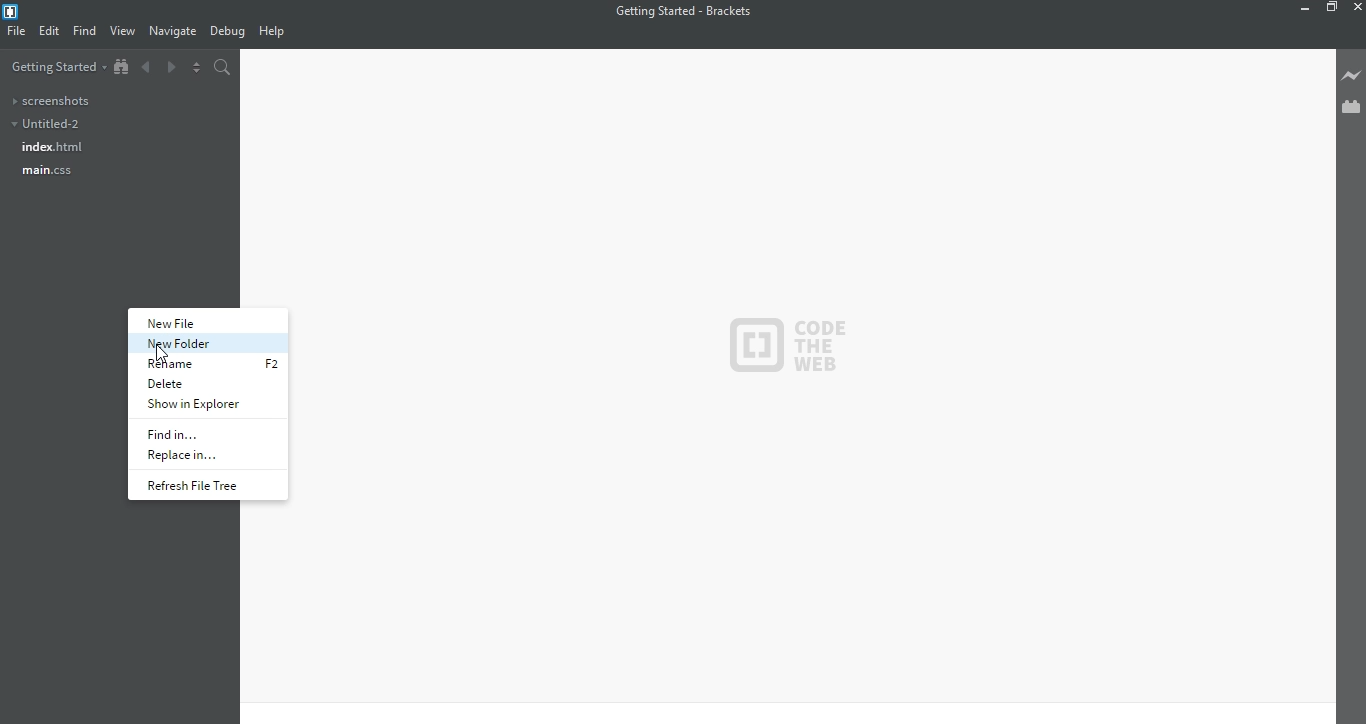 This screenshot has width=1366, height=724. What do you see at coordinates (182, 384) in the screenshot?
I see `delete` at bounding box center [182, 384].